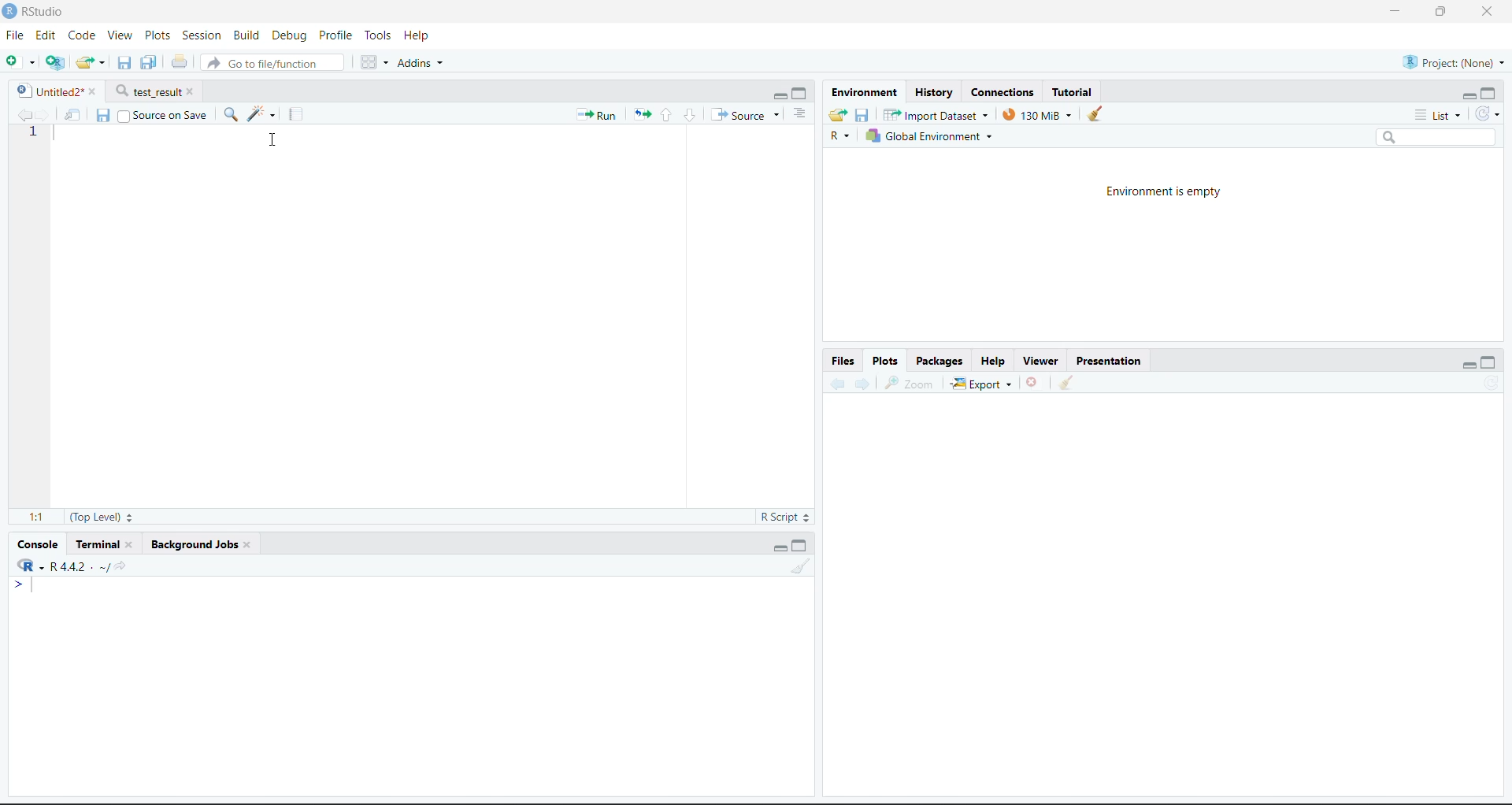  What do you see at coordinates (61, 88) in the screenshot?
I see `Untitled2*` at bounding box center [61, 88].